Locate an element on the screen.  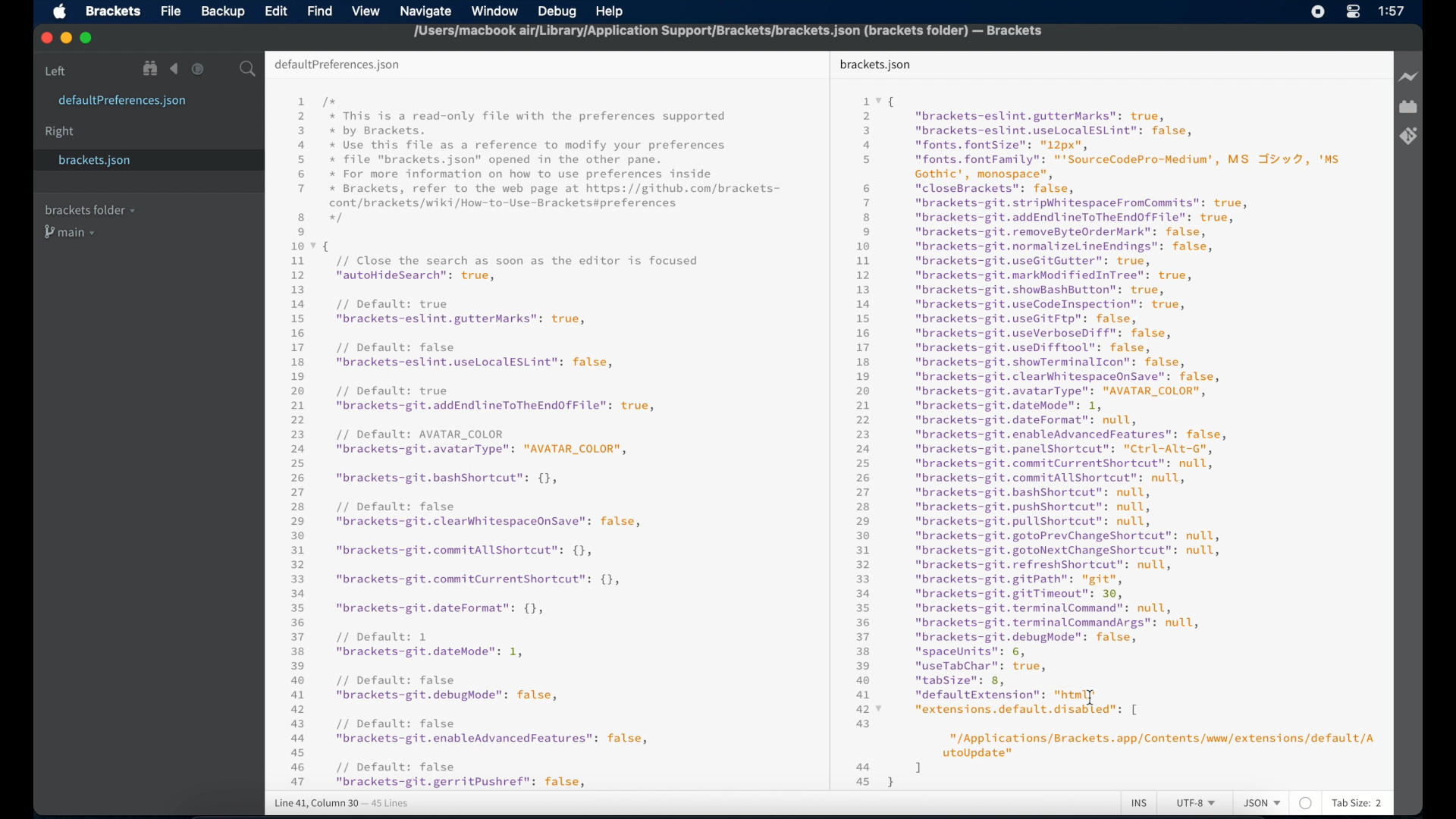
navigate forward is located at coordinates (198, 69).